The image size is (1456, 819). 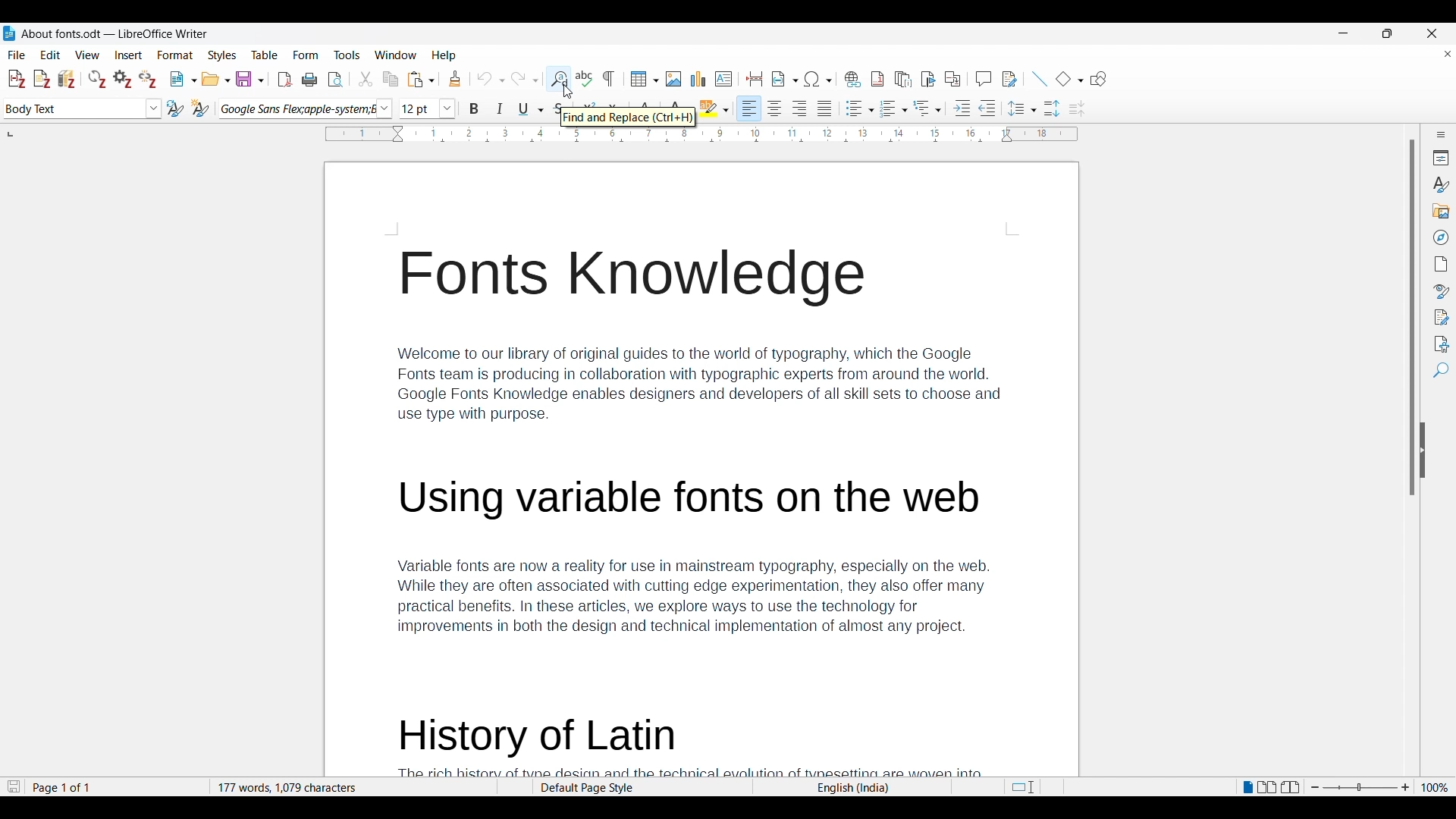 What do you see at coordinates (384, 108) in the screenshot?
I see `Font options` at bounding box center [384, 108].